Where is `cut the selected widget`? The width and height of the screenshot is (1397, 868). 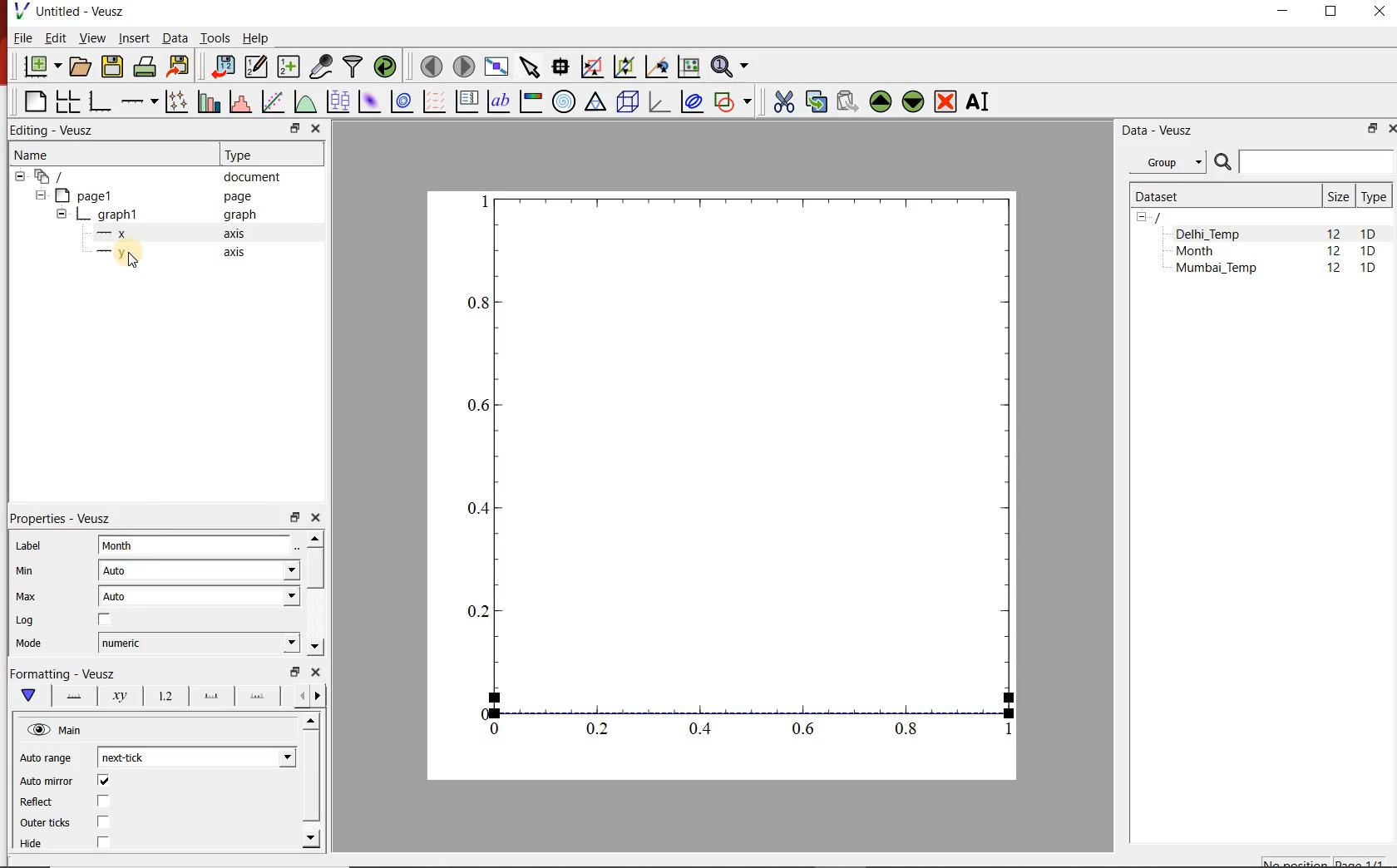
cut the selected widget is located at coordinates (783, 101).